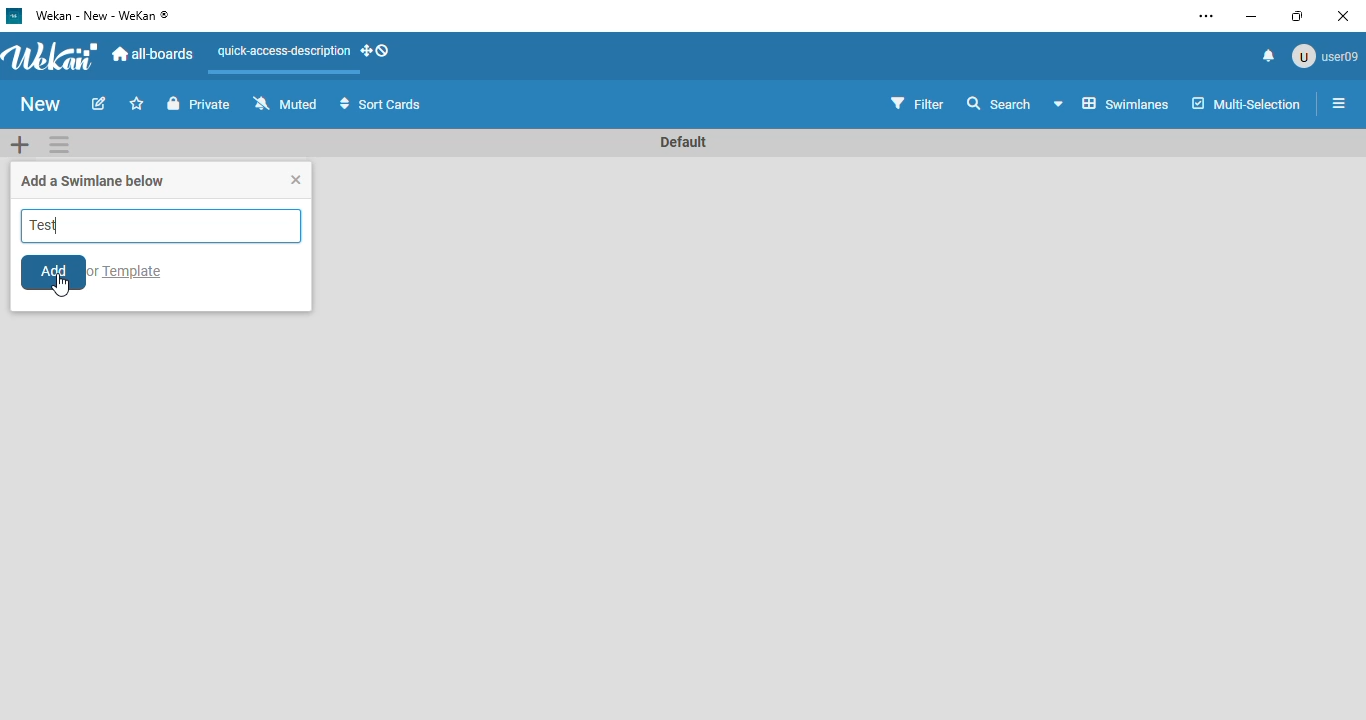 The height and width of the screenshot is (720, 1366). I want to click on board name, so click(40, 103).